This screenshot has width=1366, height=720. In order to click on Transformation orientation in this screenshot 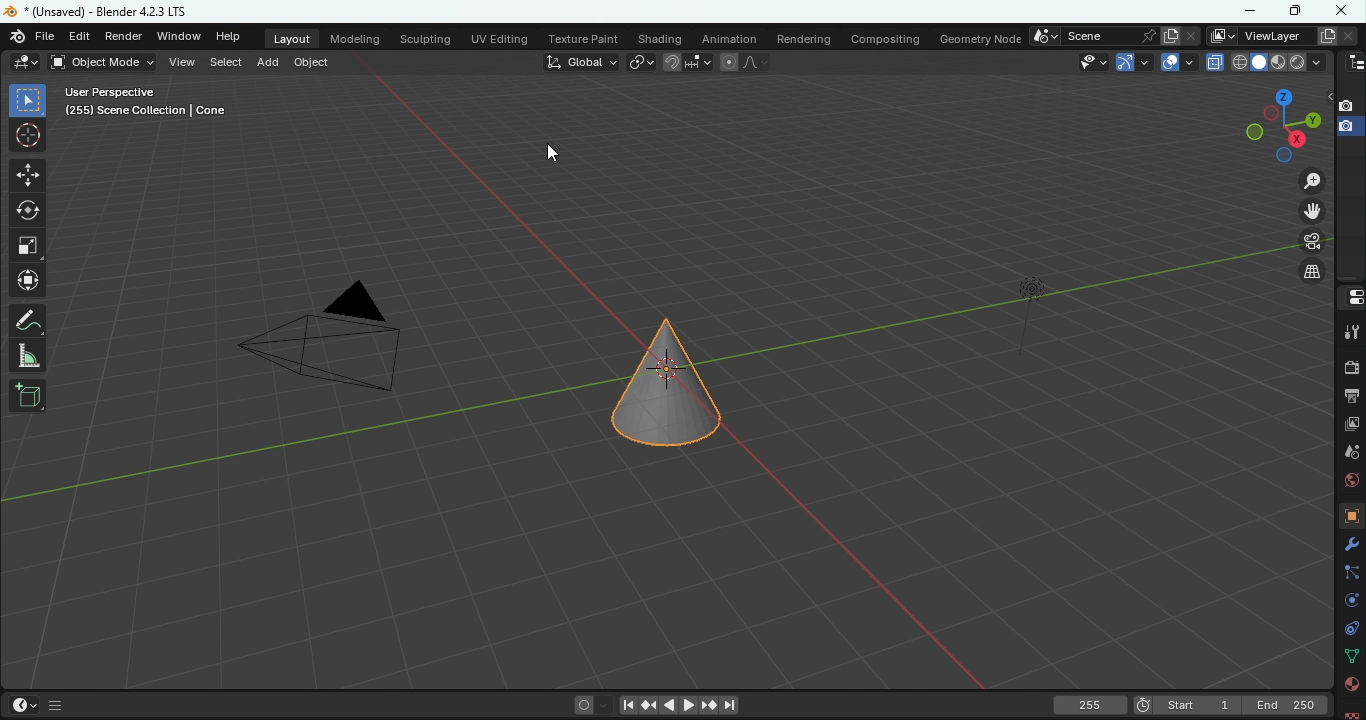, I will do `click(580, 61)`.